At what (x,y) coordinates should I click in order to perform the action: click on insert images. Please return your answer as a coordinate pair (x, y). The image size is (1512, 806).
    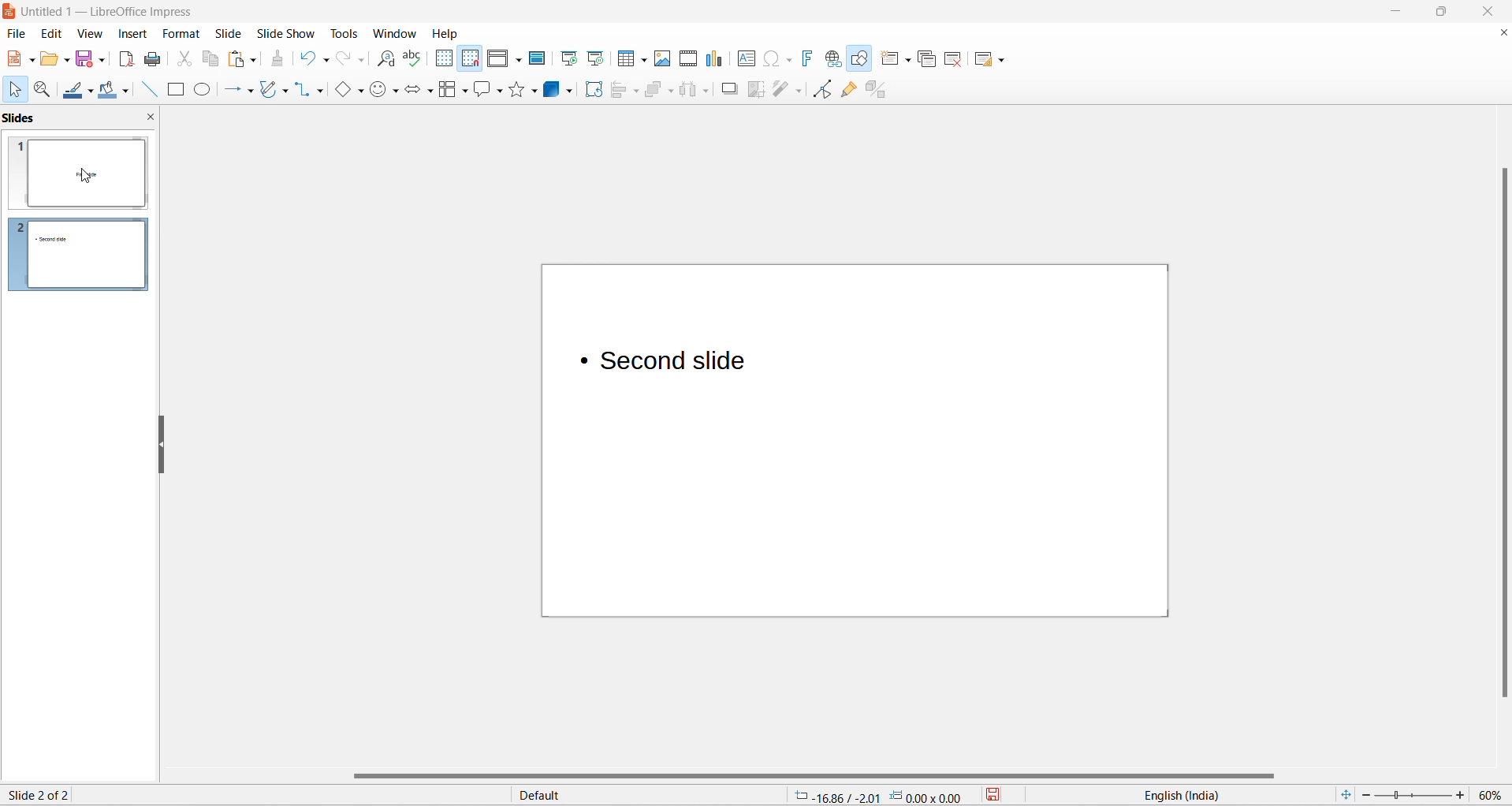
    Looking at the image, I should click on (661, 58).